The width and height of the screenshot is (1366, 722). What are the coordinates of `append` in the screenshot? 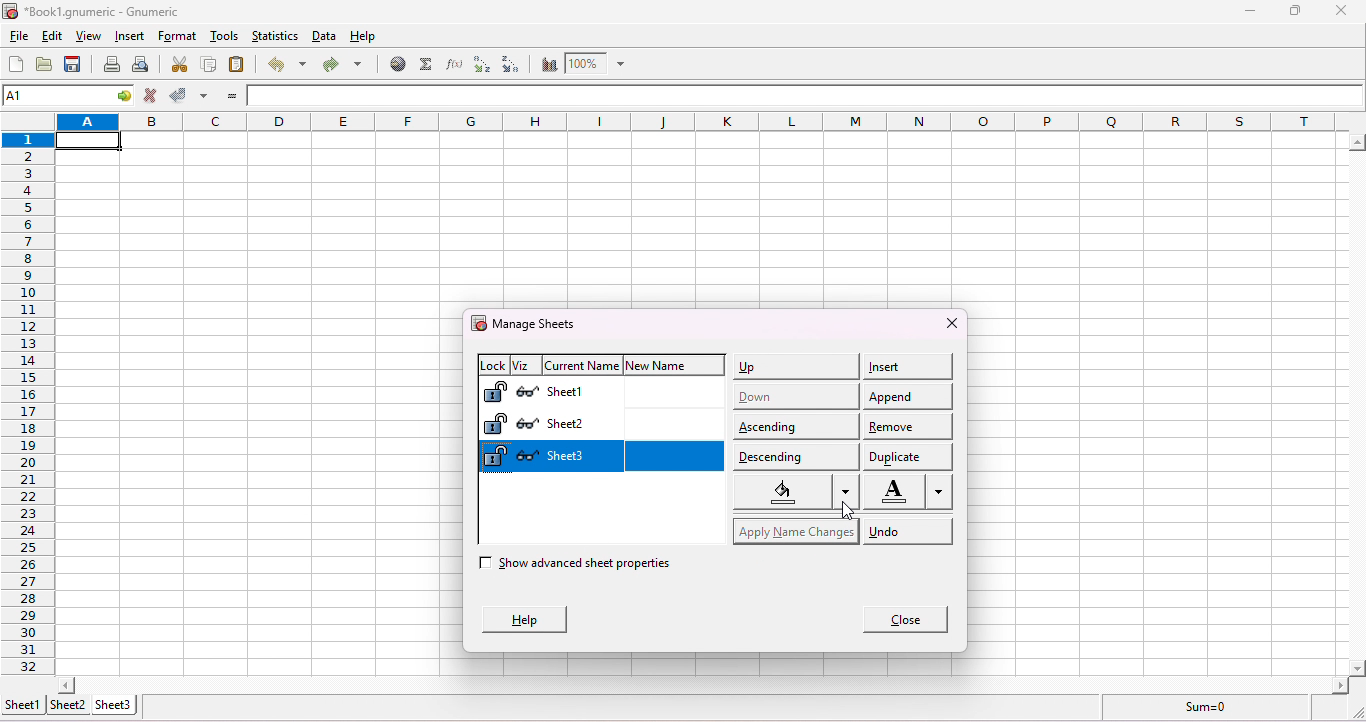 It's located at (911, 394).